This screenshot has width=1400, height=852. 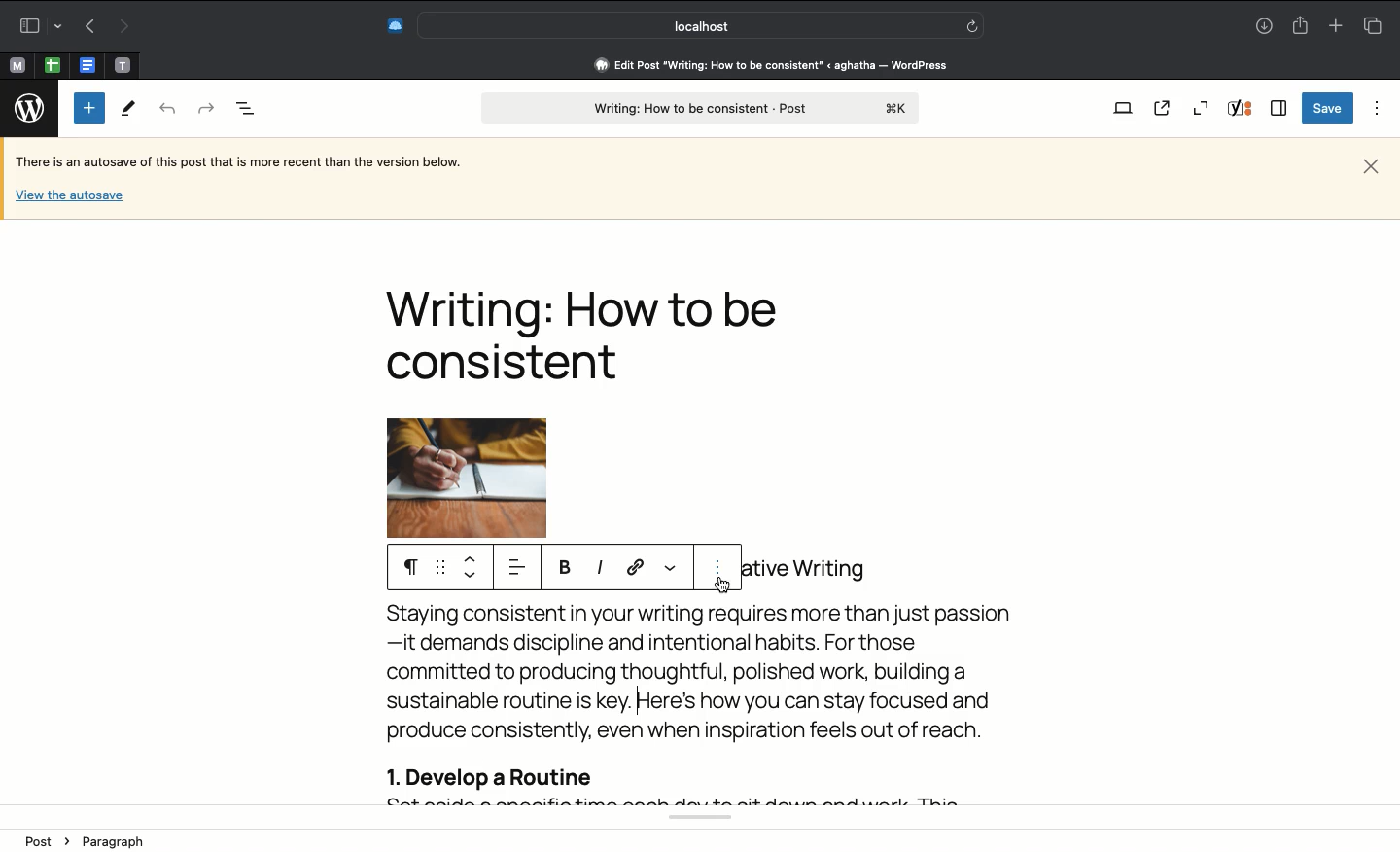 I want to click on Yoast, so click(x=1242, y=110).